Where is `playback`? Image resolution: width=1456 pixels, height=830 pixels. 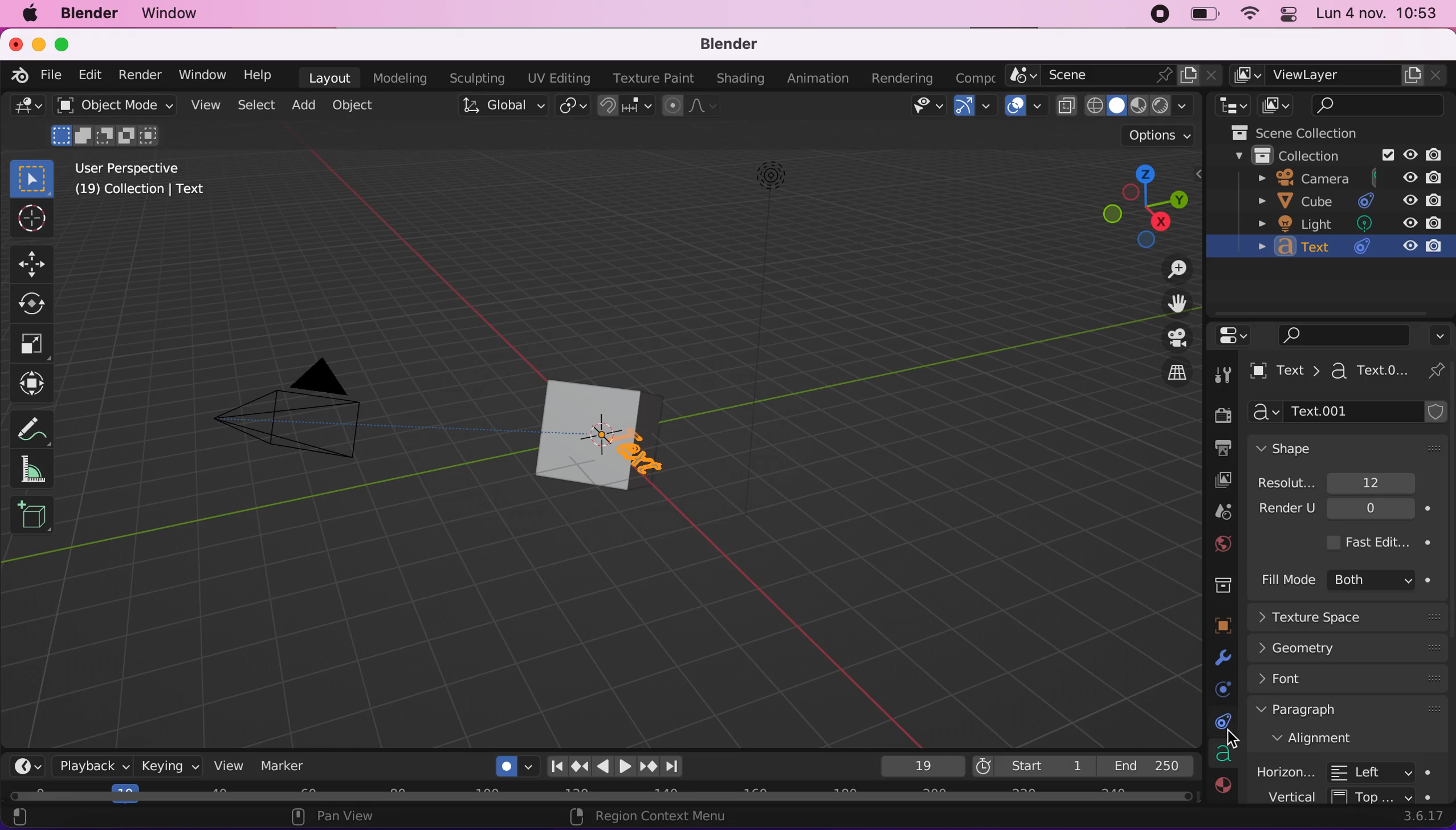
playback is located at coordinates (95, 768).